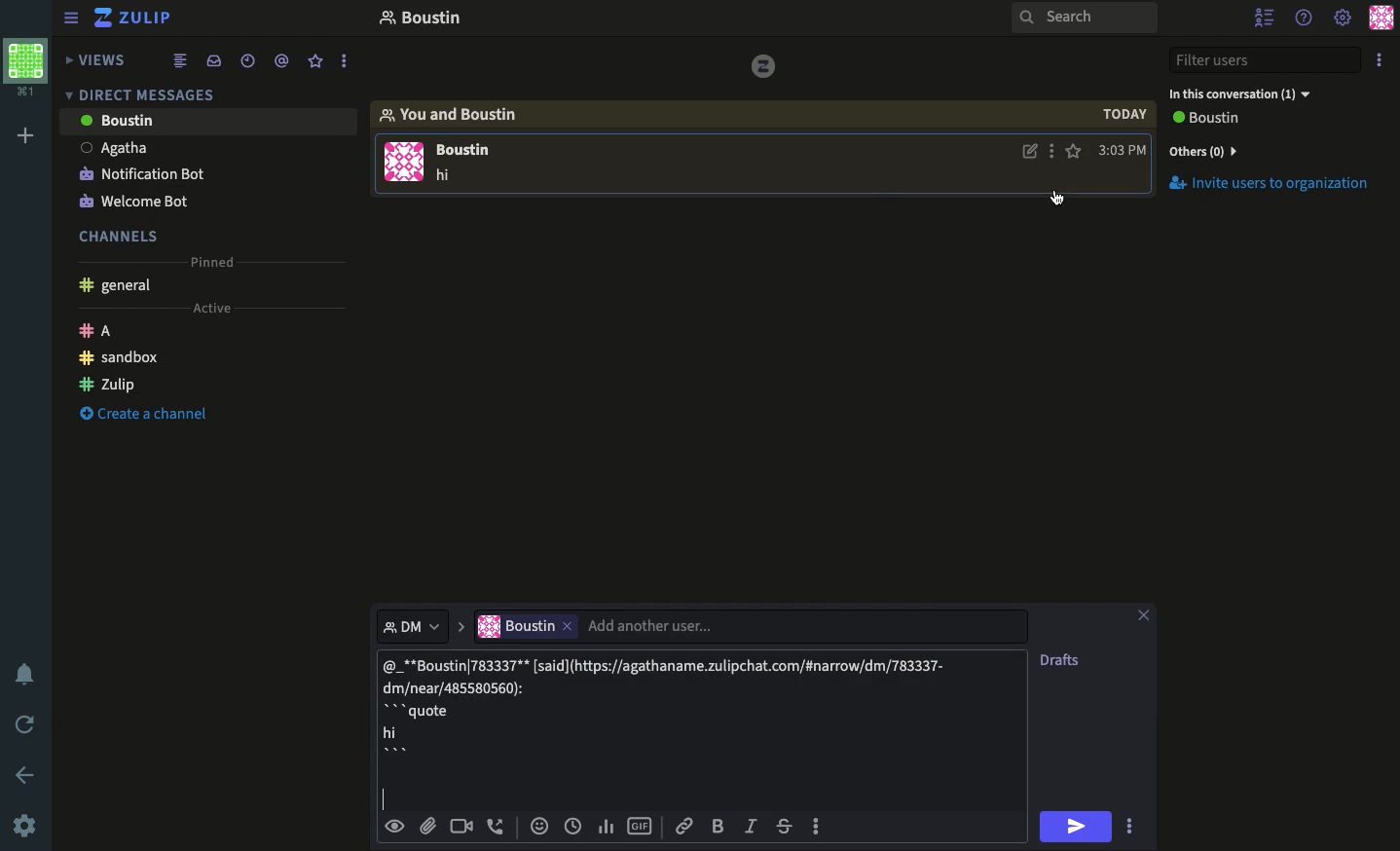 This screenshot has width=1400, height=851. I want to click on Create channel, so click(145, 416).